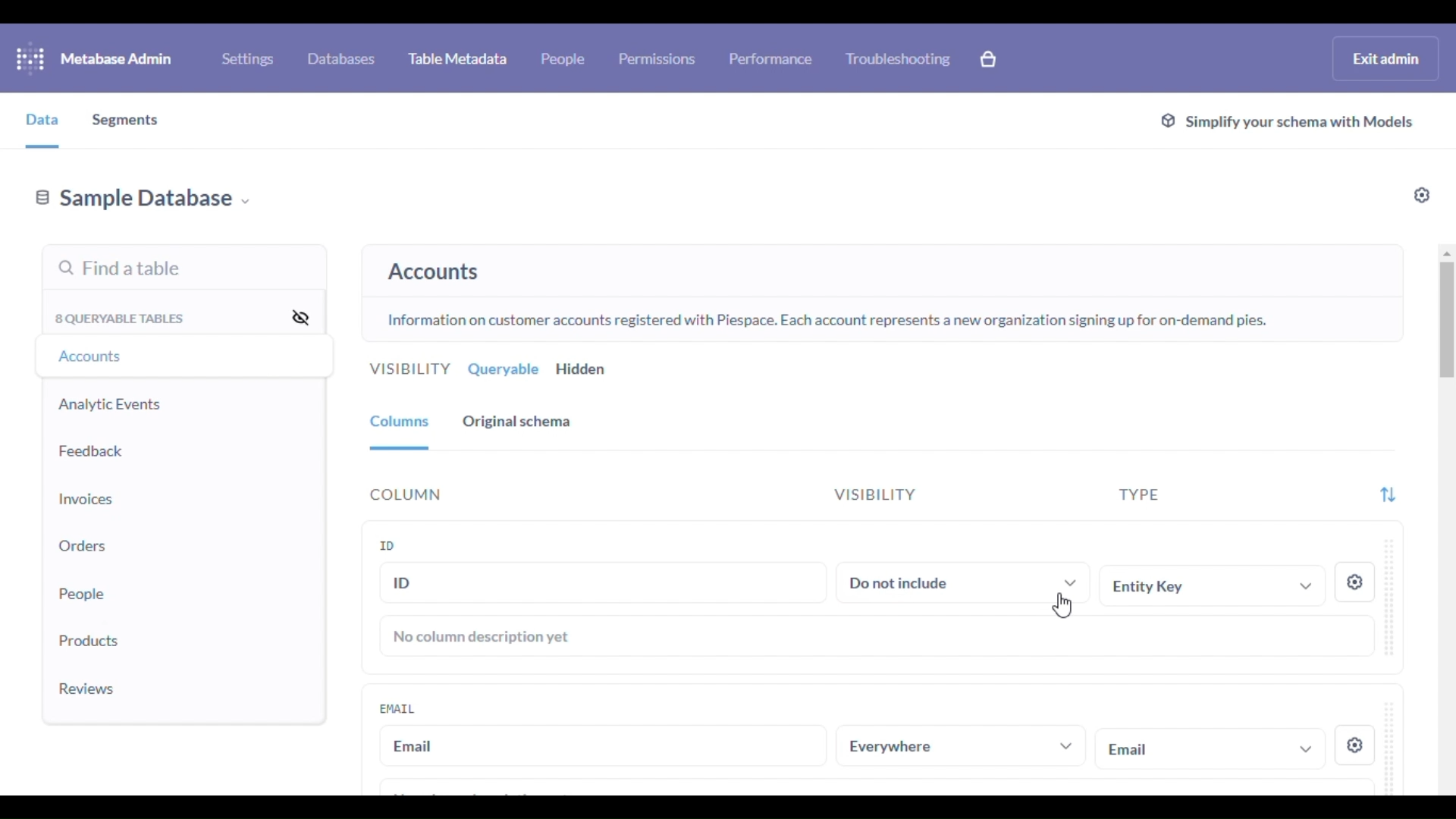 Image resolution: width=1456 pixels, height=819 pixels. Describe the element at coordinates (1386, 58) in the screenshot. I see `exit admin` at that location.